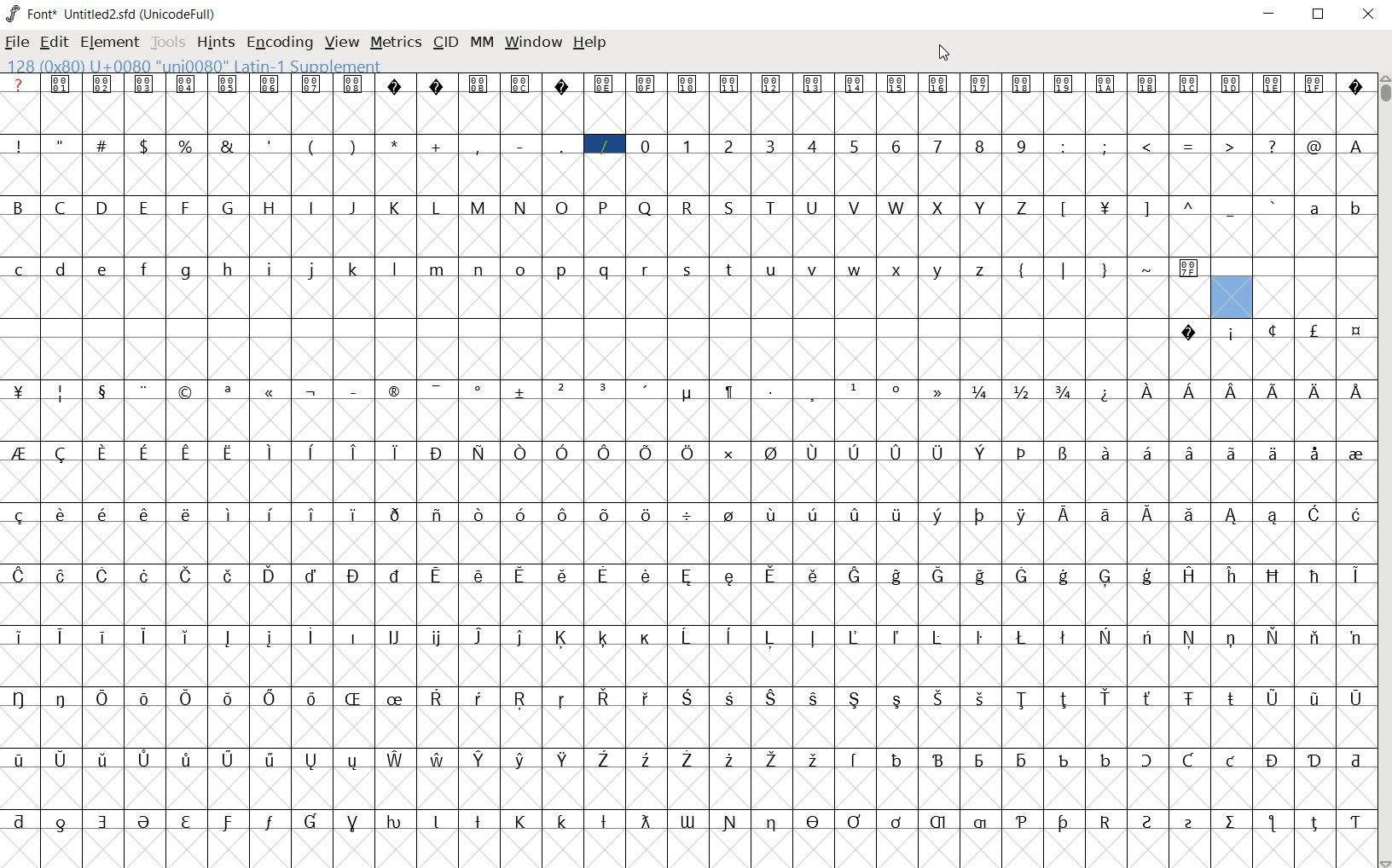 This screenshot has width=1392, height=868. I want to click on glyph, so click(603, 759).